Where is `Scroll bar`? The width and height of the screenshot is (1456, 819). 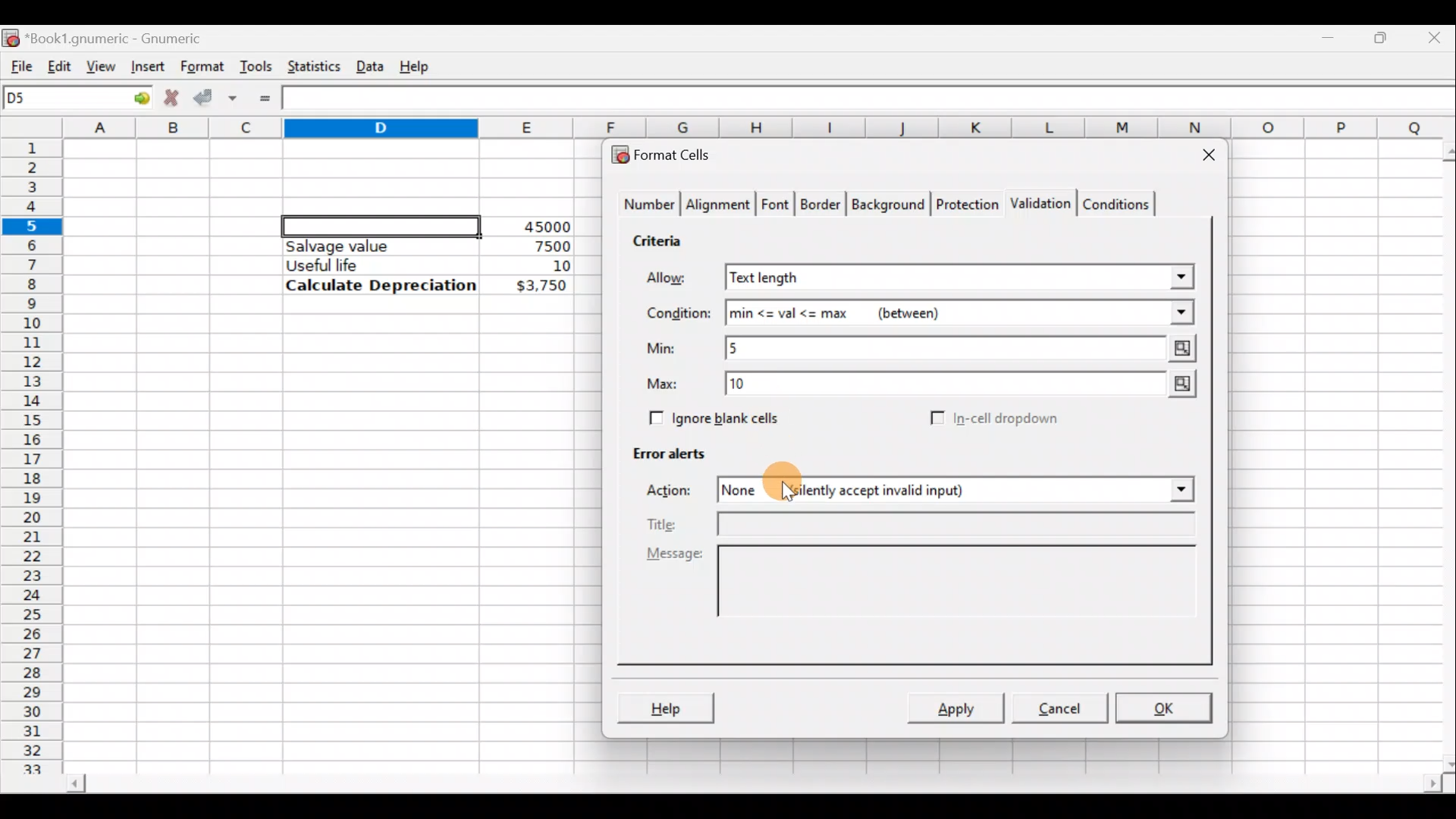
Scroll bar is located at coordinates (1439, 454).